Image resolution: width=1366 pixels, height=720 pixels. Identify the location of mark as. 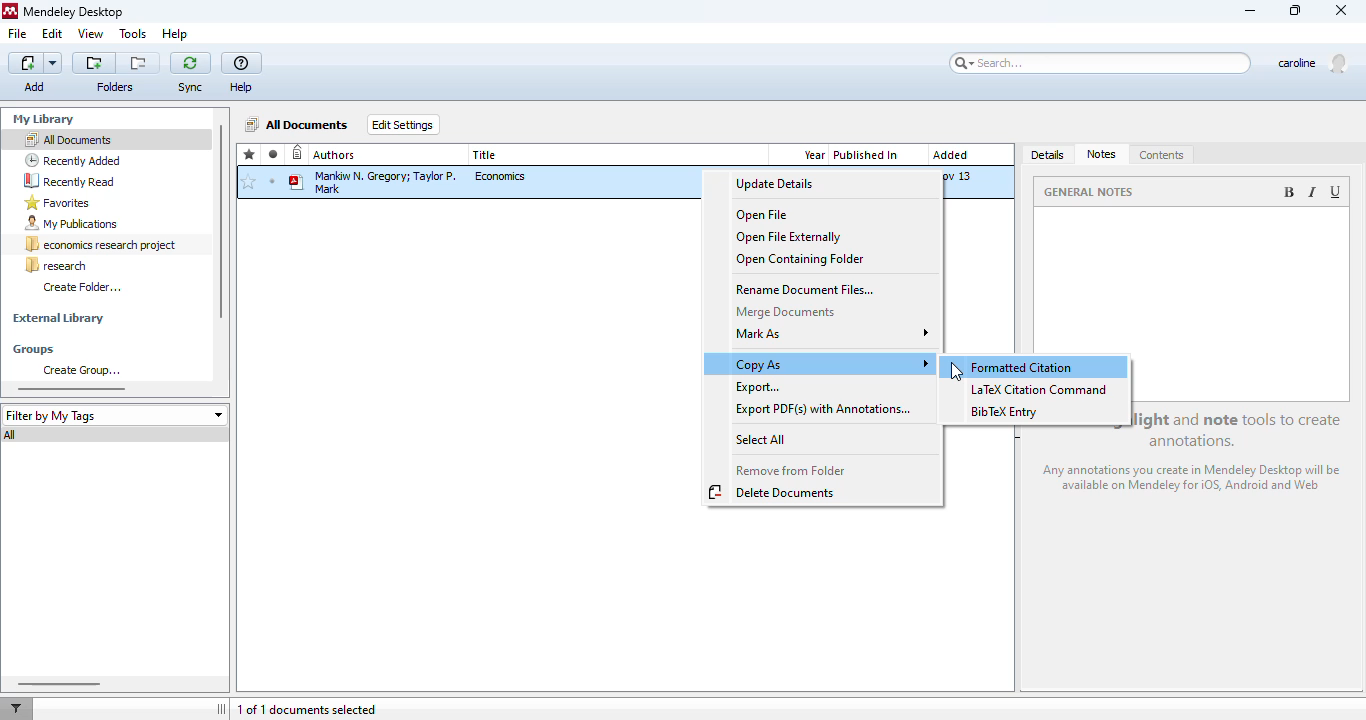
(834, 333).